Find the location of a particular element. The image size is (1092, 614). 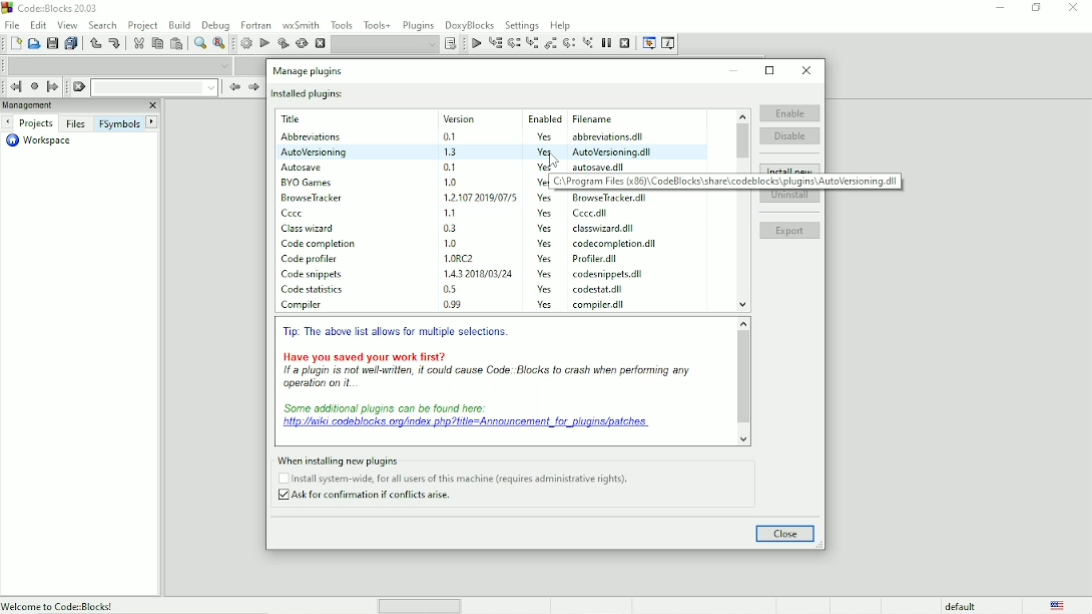

0.1 is located at coordinates (450, 137).